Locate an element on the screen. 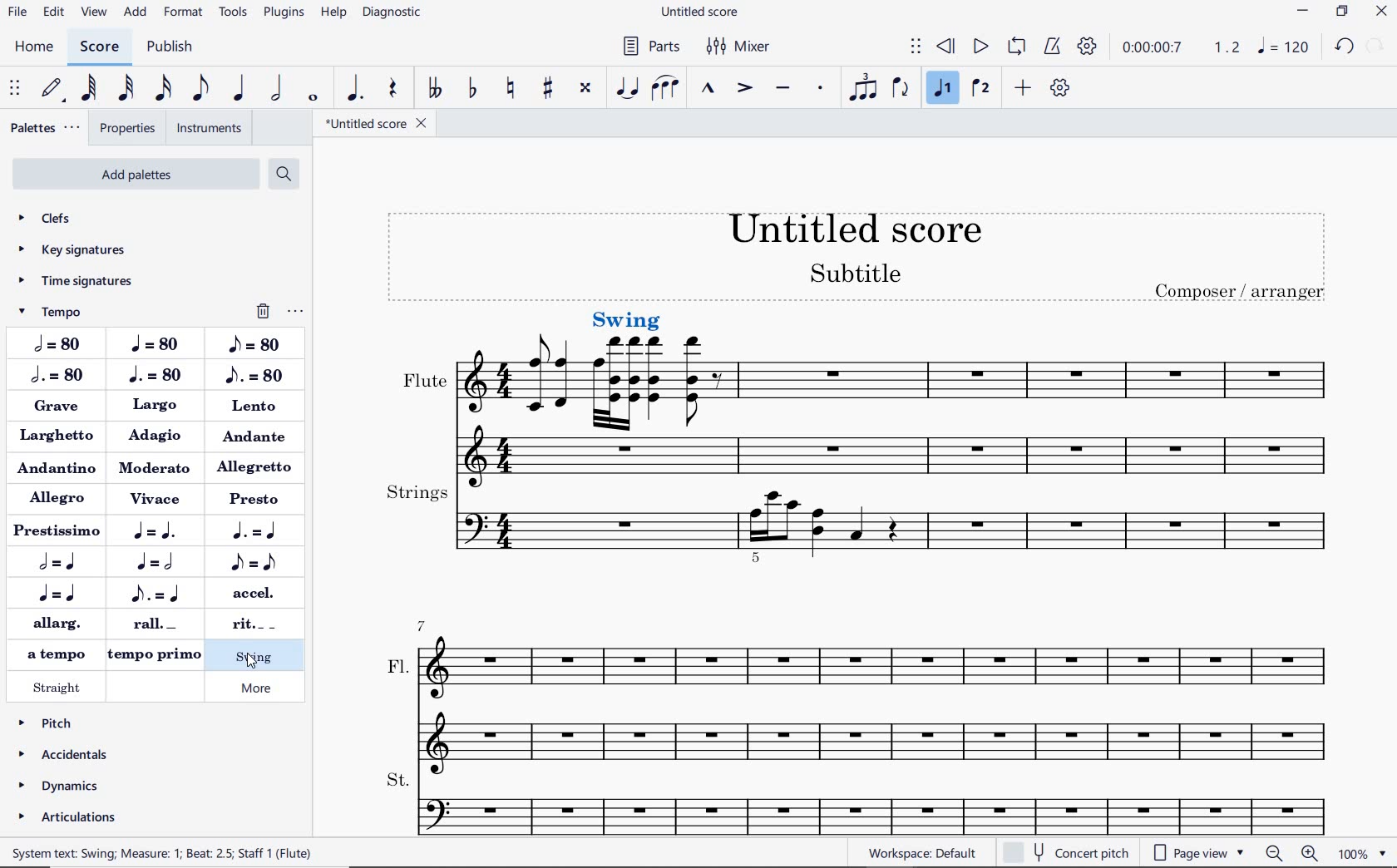  VIVACE is located at coordinates (157, 500).